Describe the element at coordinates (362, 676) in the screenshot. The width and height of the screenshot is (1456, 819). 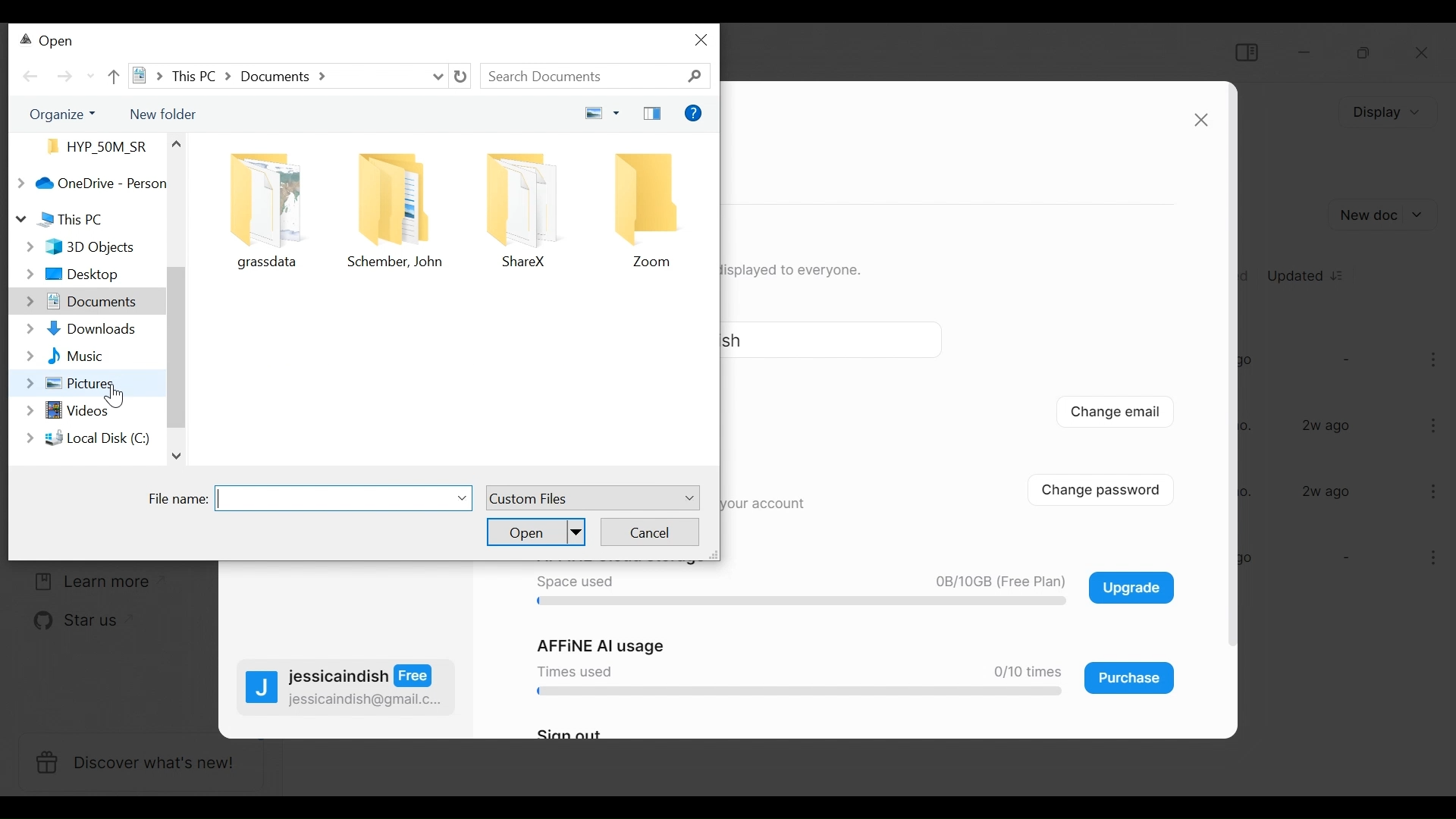
I see `jessicaindish` at that location.